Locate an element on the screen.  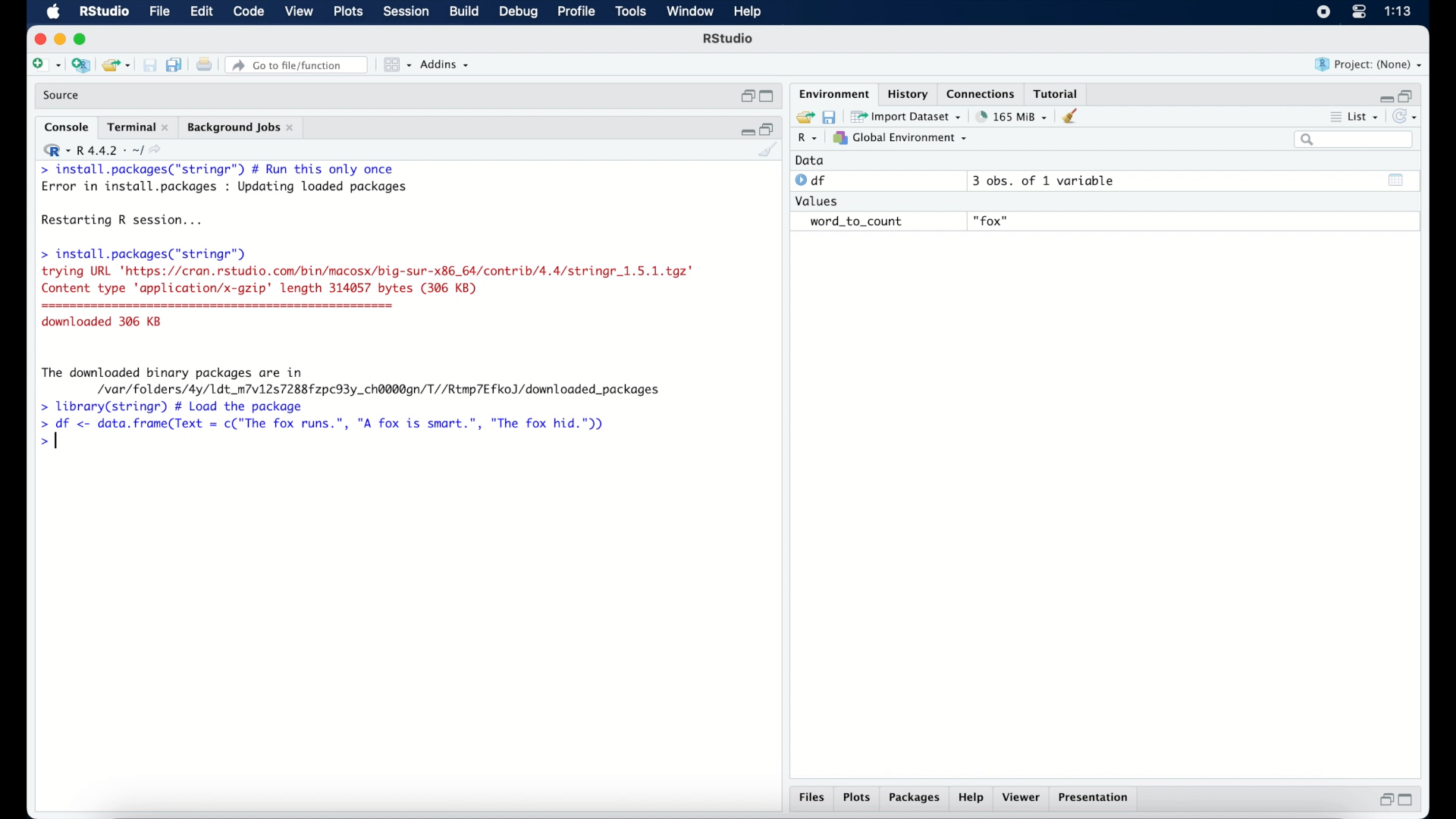
window is located at coordinates (690, 12).